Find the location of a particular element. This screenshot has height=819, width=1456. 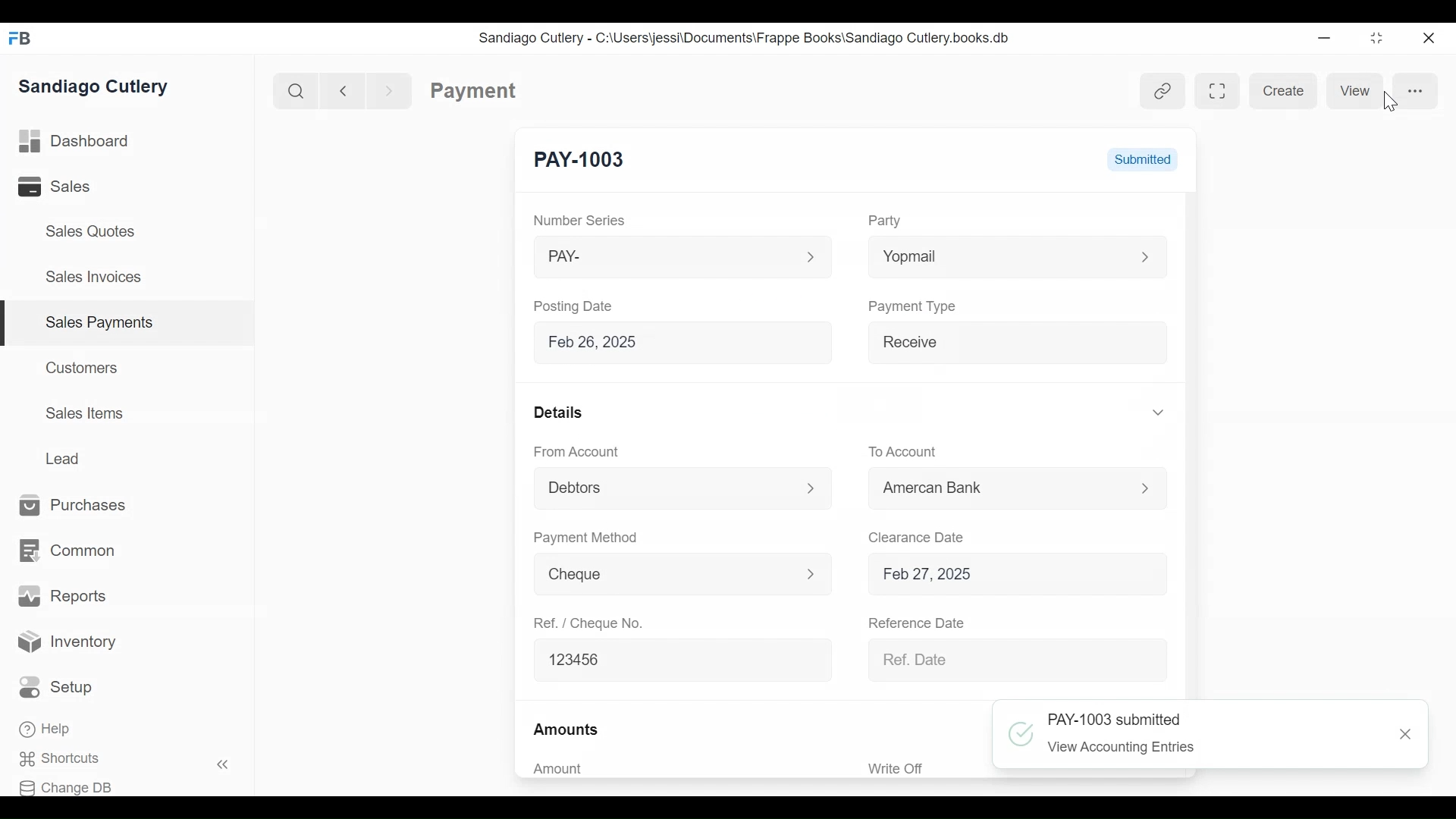

Sales Items is located at coordinates (85, 413).